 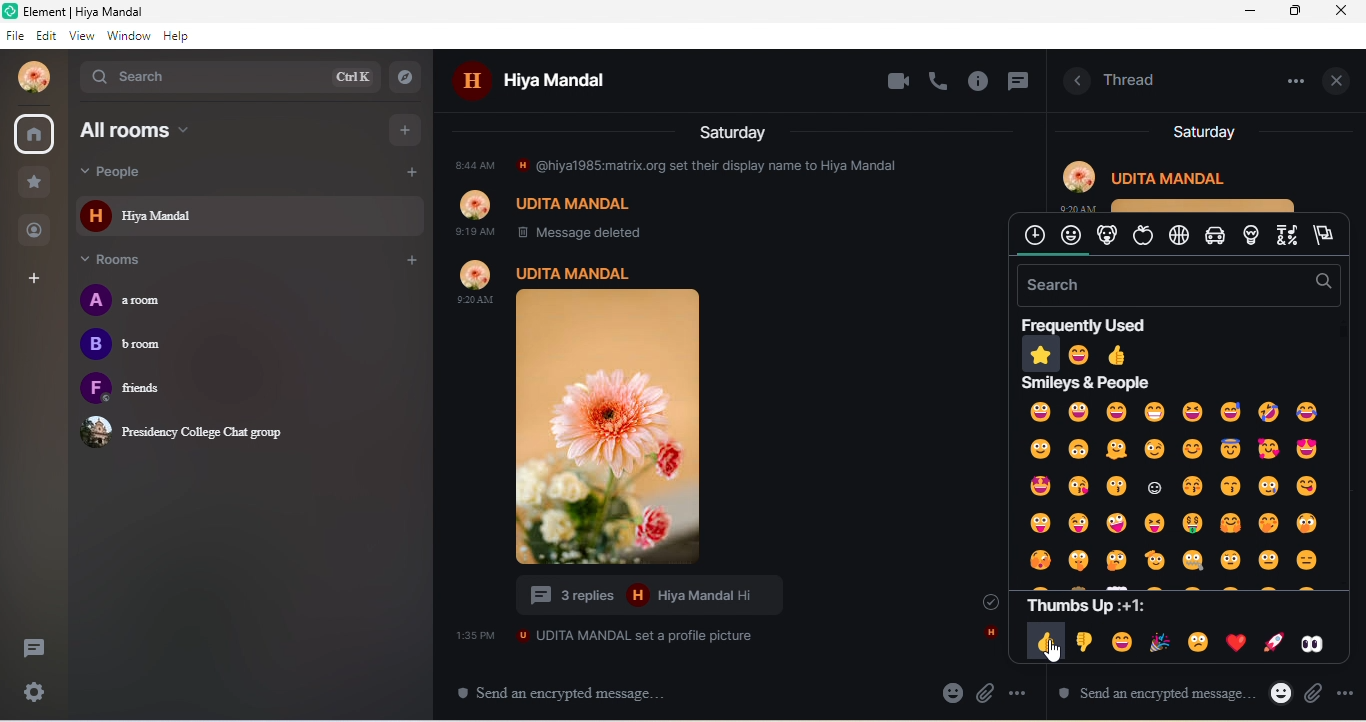 What do you see at coordinates (1242, 692) in the screenshot?
I see `emoji` at bounding box center [1242, 692].